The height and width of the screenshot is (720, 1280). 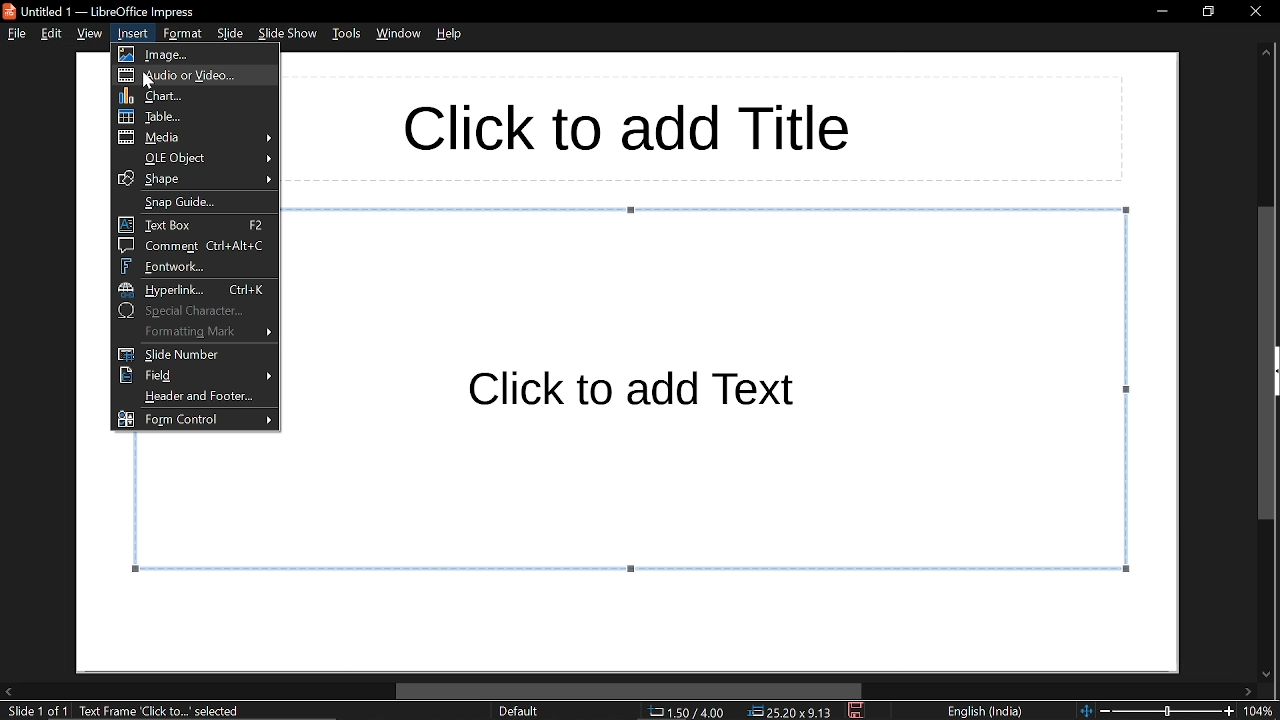 What do you see at coordinates (195, 179) in the screenshot?
I see `shape` at bounding box center [195, 179].